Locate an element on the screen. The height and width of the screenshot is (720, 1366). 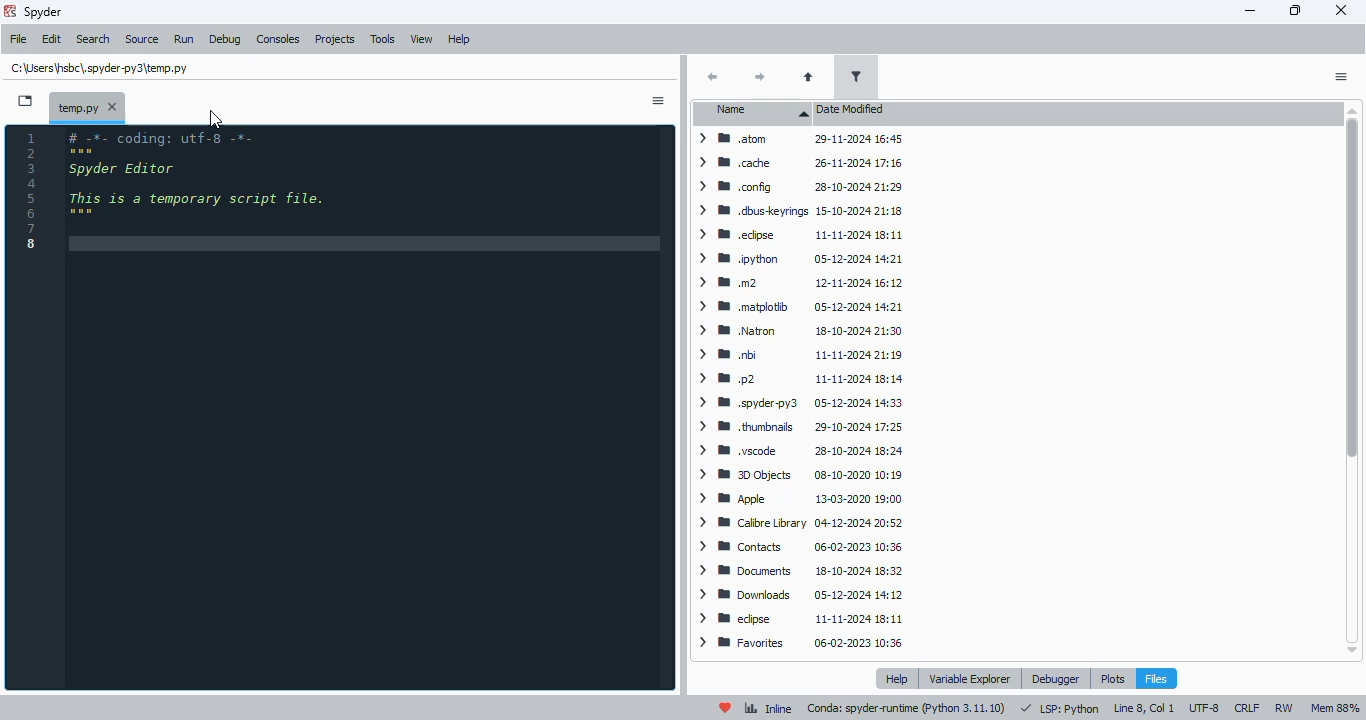
tools is located at coordinates (384, 39).